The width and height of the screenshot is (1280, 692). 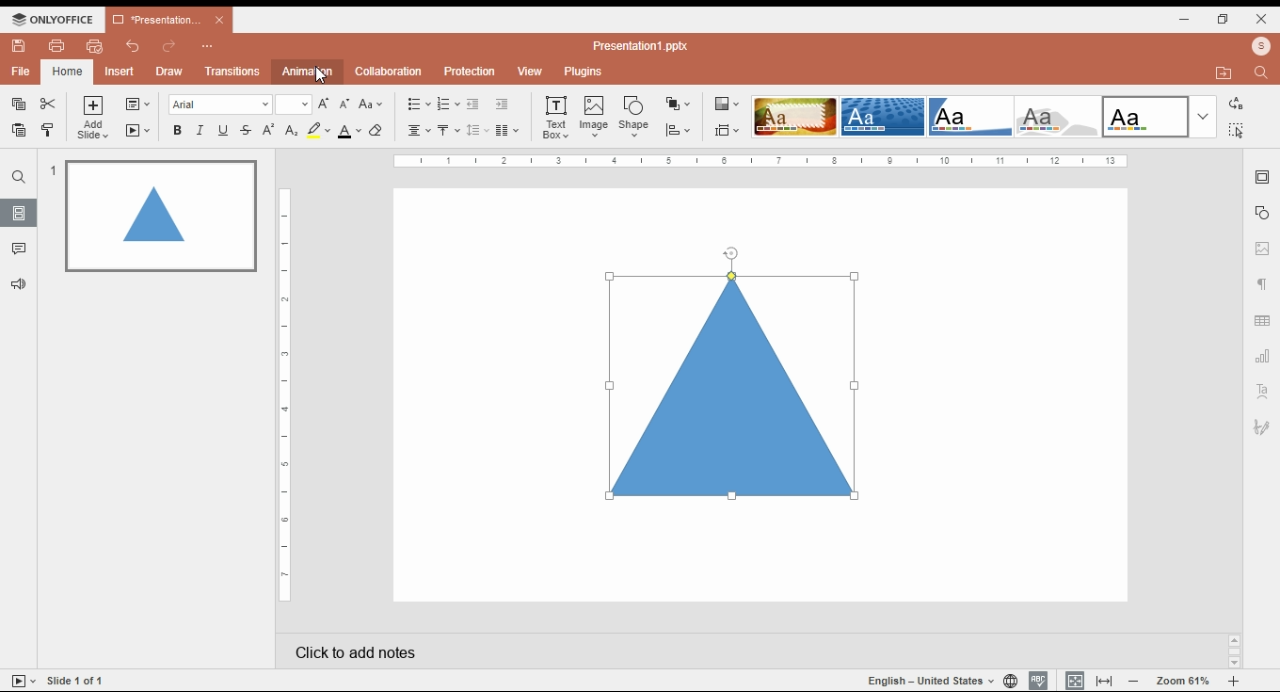 What do you see at coordinates (1203, 118) in the screenshot?
I see `more color themes` at bounding box center [1203, 118].